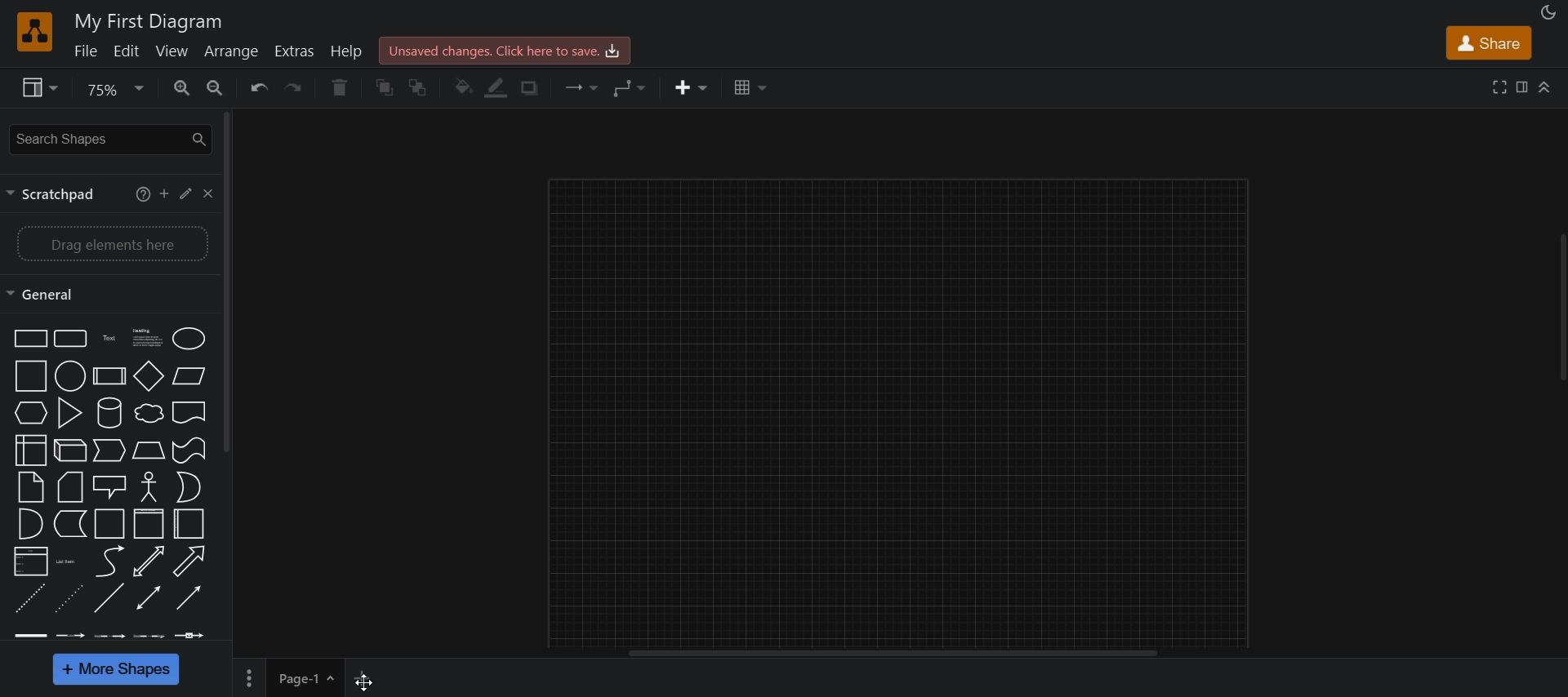 The image size is (1568, 697). Describe the element at coordinates (113, 89) in the screenshot. I see `zoom` at that location.